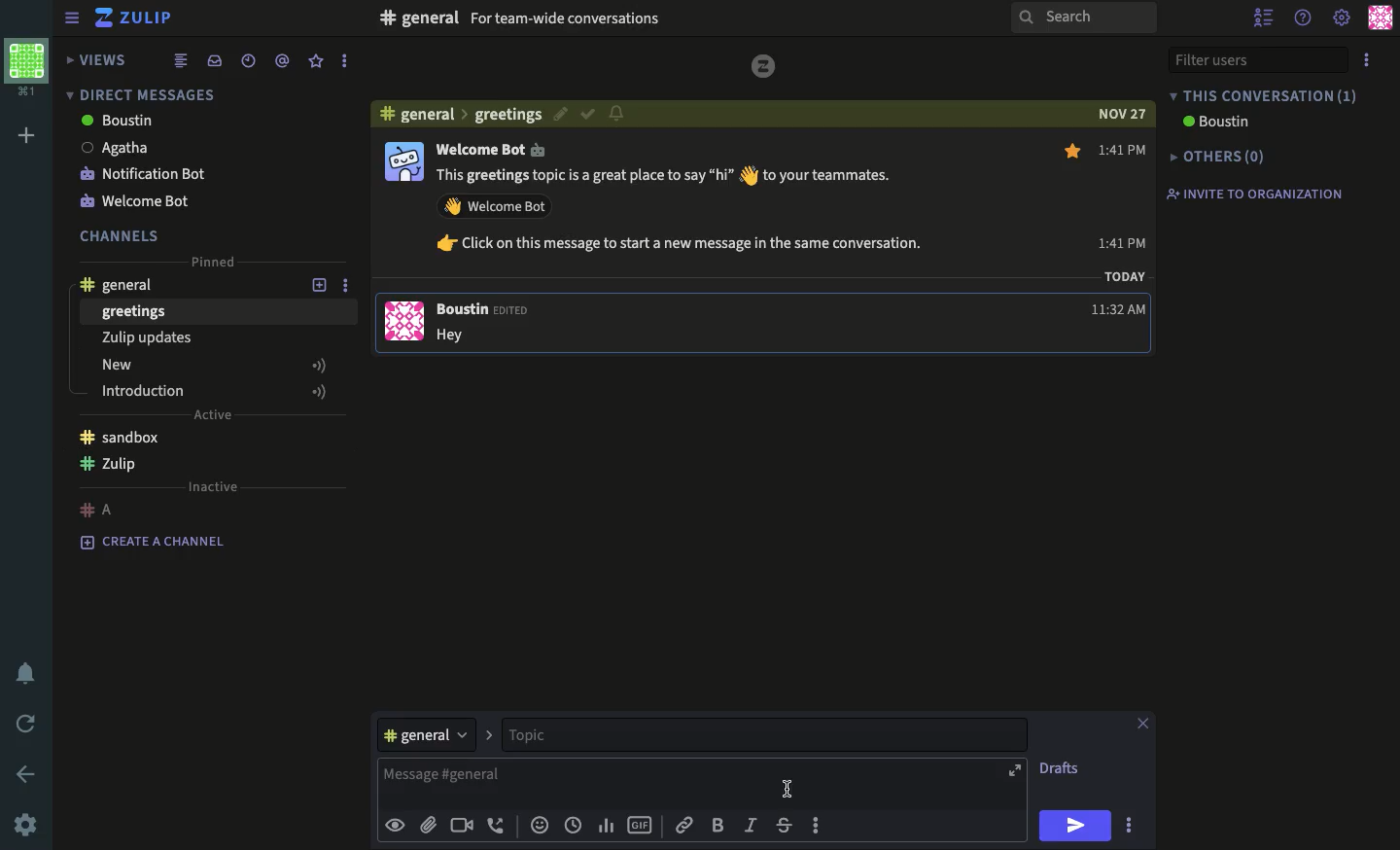 Image resolution: width=1400 pixels, height=850 pixels. Describe the element at coordinates (341, 61) in the screenshot. I see `options` at that location.